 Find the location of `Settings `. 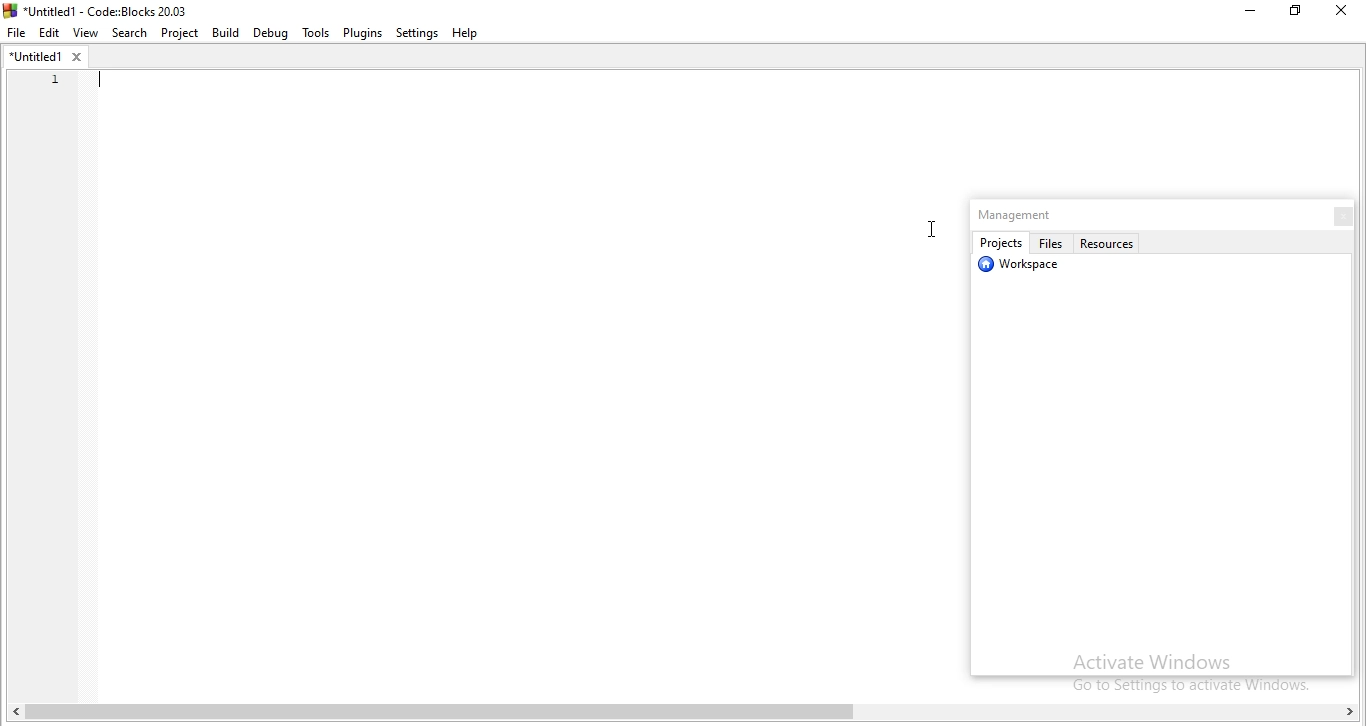

Settings  is located at coordinates (418, 33).